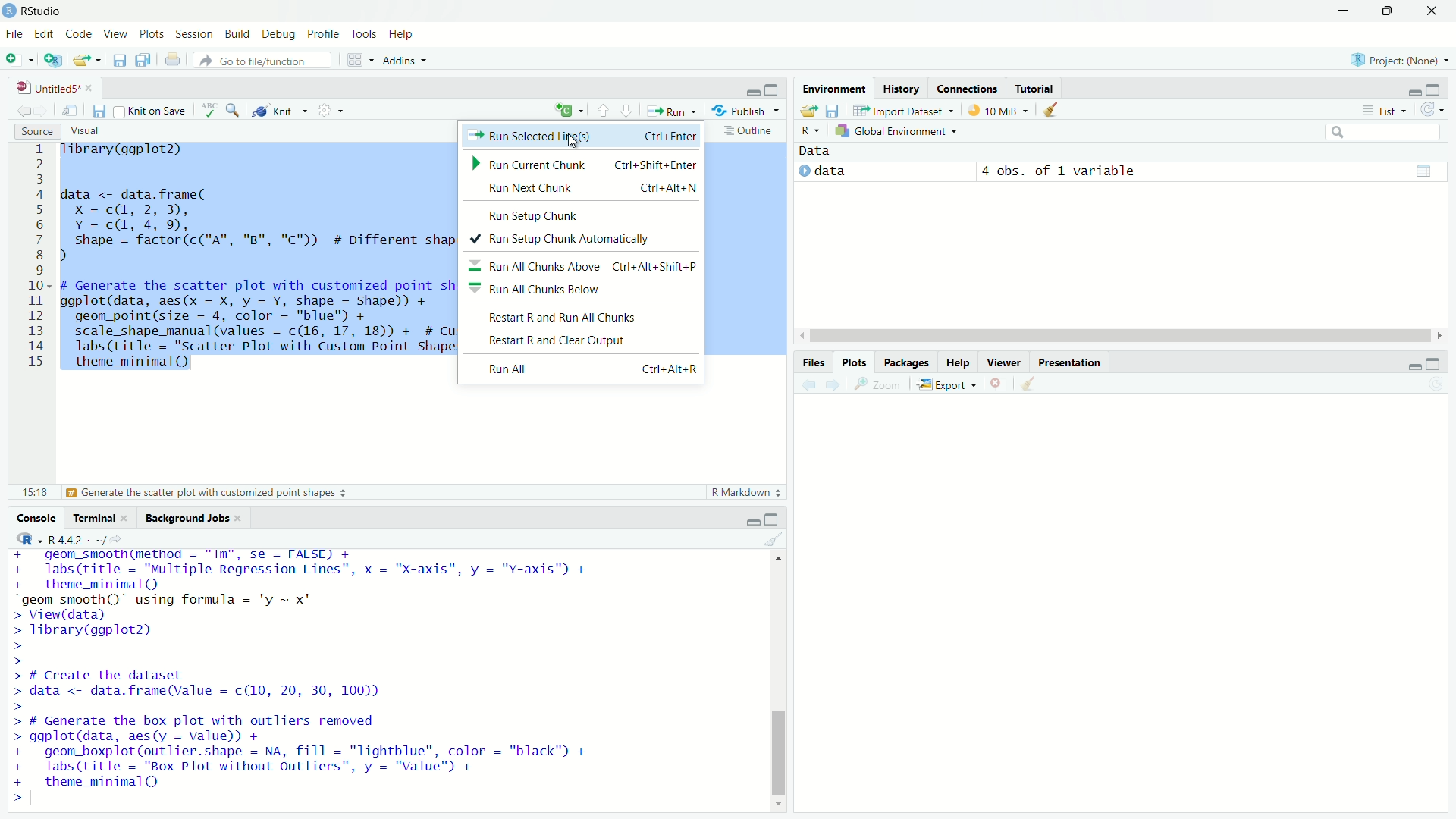 Image resolution: width=1456 pixels, height=819 pixels. What do you see at coordinates (208, 493) in the screenshot?
I see `Generate the scatter plot with customized point shapes` at bounding box center [208, 493].